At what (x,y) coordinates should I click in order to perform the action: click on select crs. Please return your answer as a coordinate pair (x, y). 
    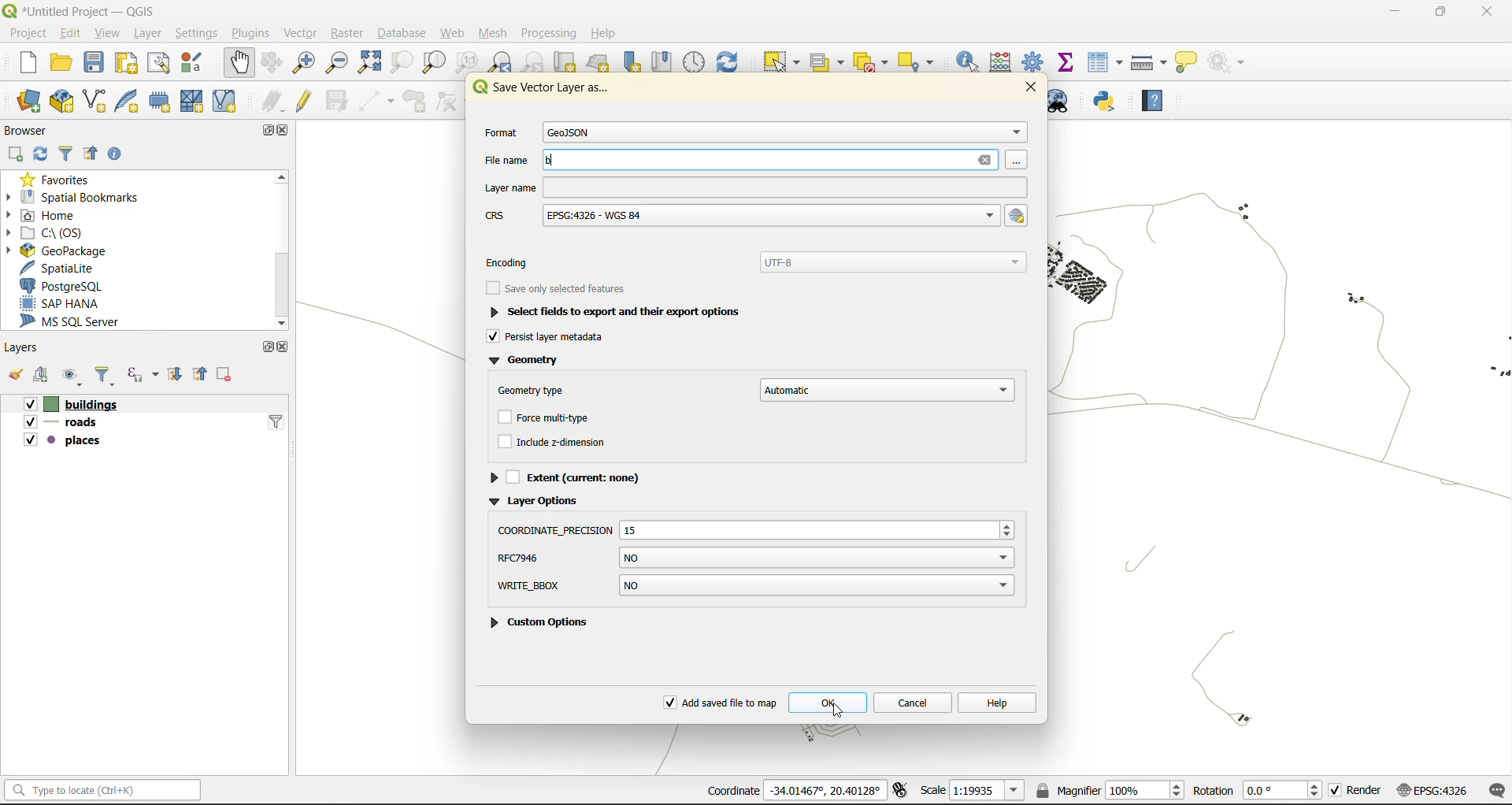
    Looking at the image, I should click on (1018, 216).